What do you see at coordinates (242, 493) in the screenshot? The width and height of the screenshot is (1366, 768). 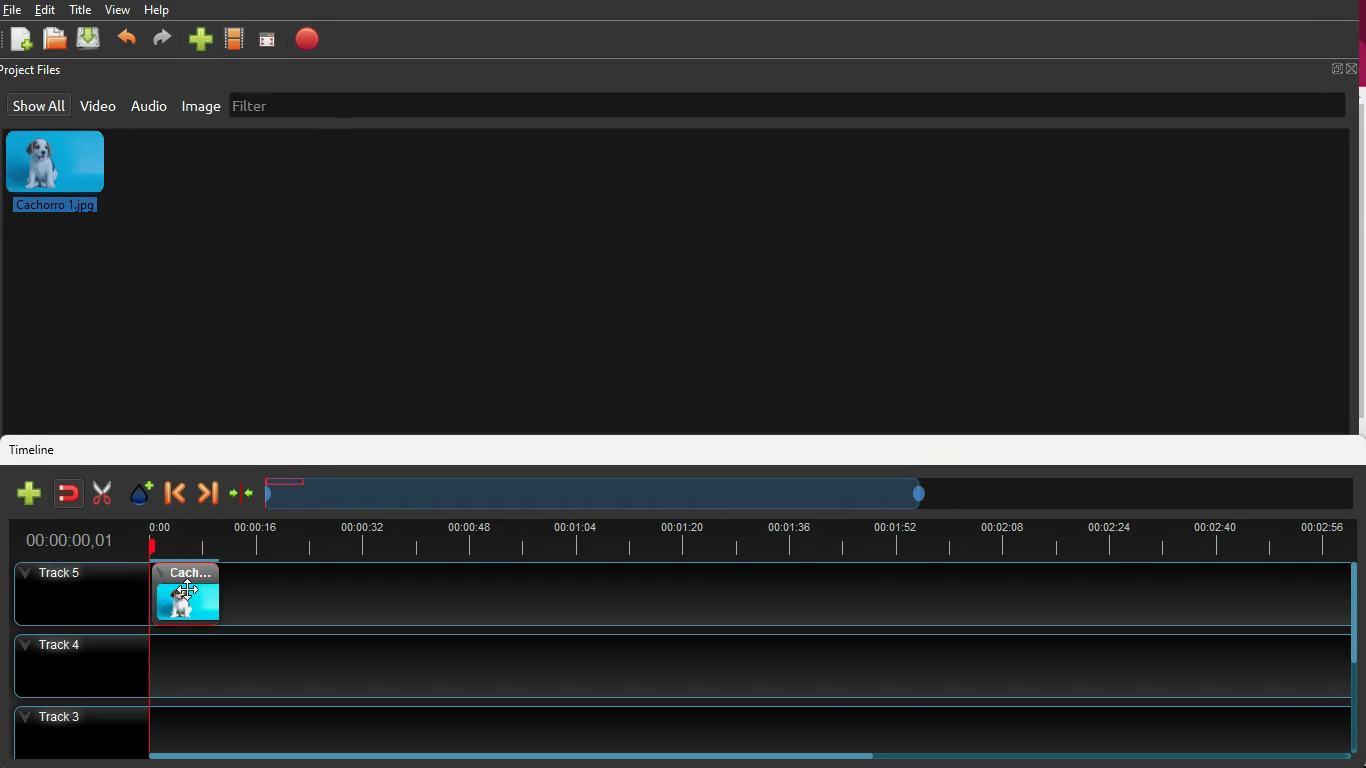 I see `join` at bounding box center [242, 493].